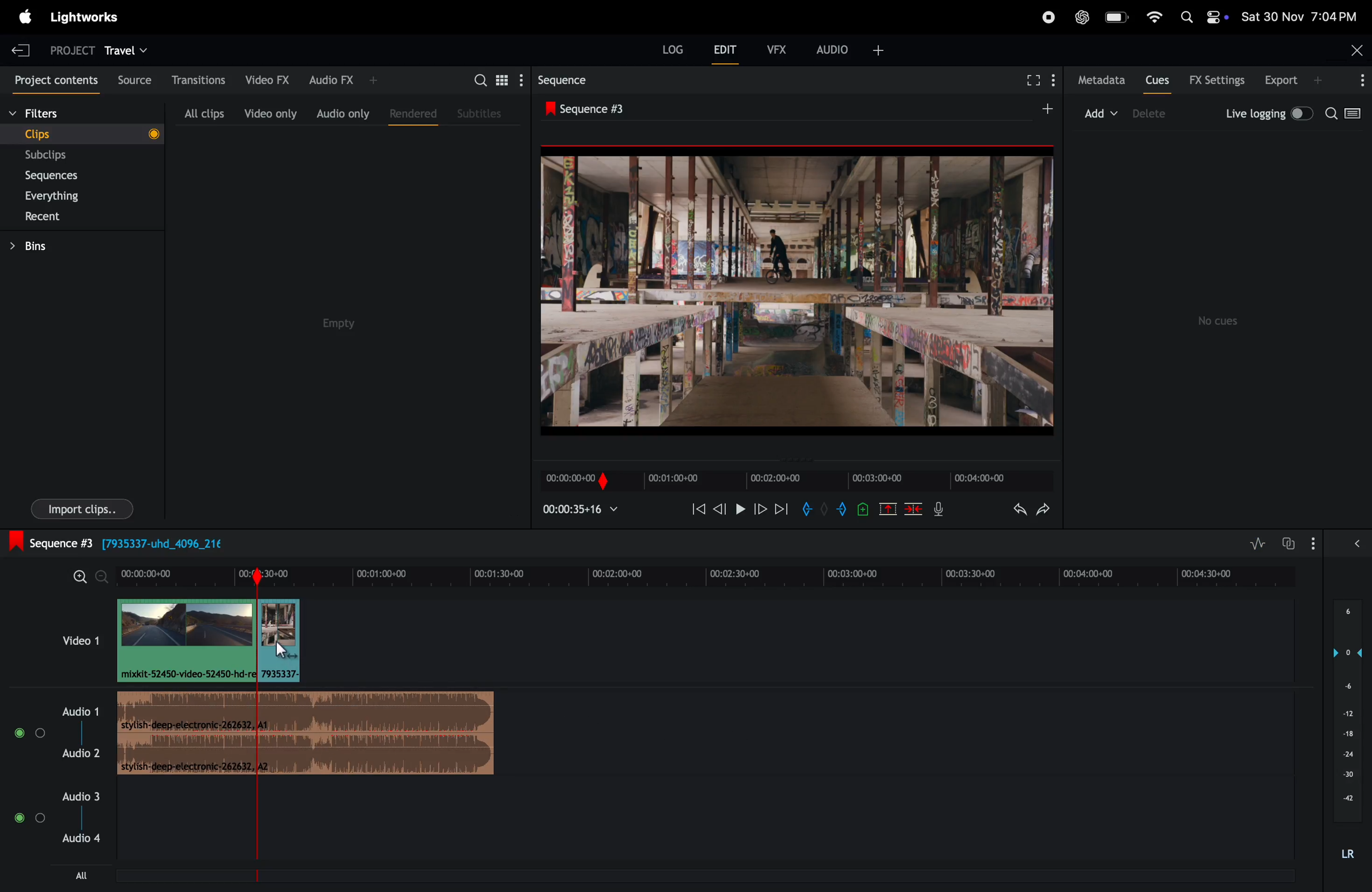 Image resolution: width=1372 pixels, height=892 pixels. What do you see at coordinates (21, 48) in the screenshot?
I see `exit` at bounding box center [21, 48].